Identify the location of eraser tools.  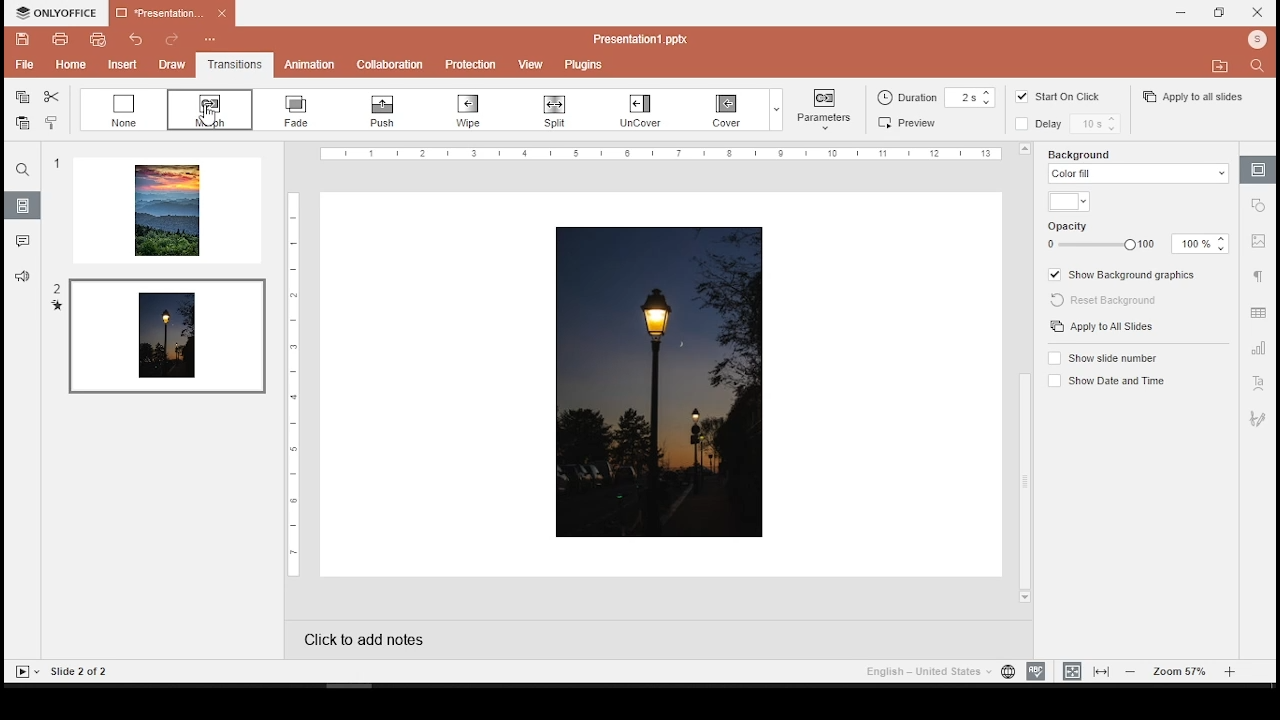
(389, 111).